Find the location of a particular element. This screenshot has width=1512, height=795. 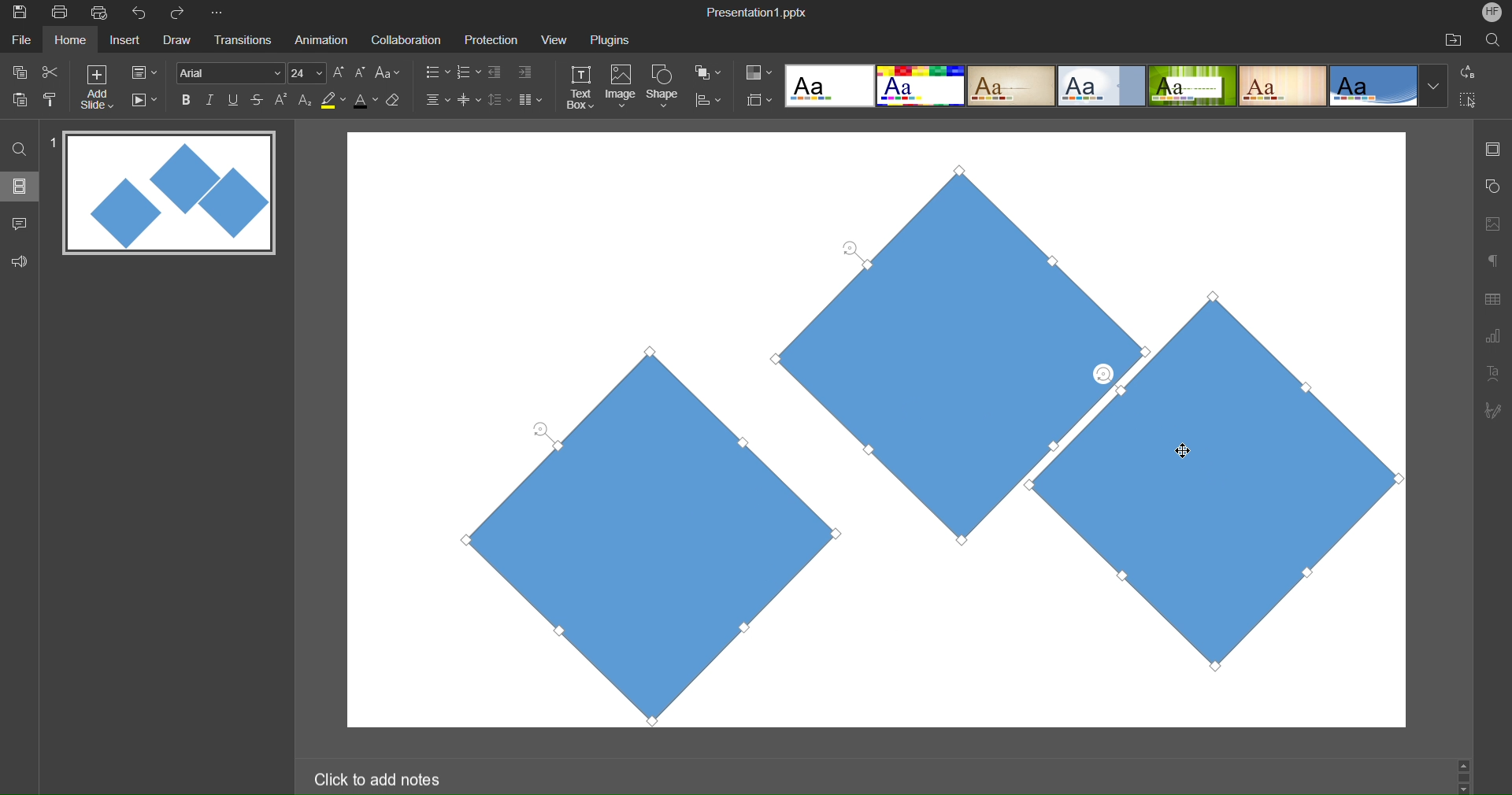

Protection is located at coordinates (484, 39).